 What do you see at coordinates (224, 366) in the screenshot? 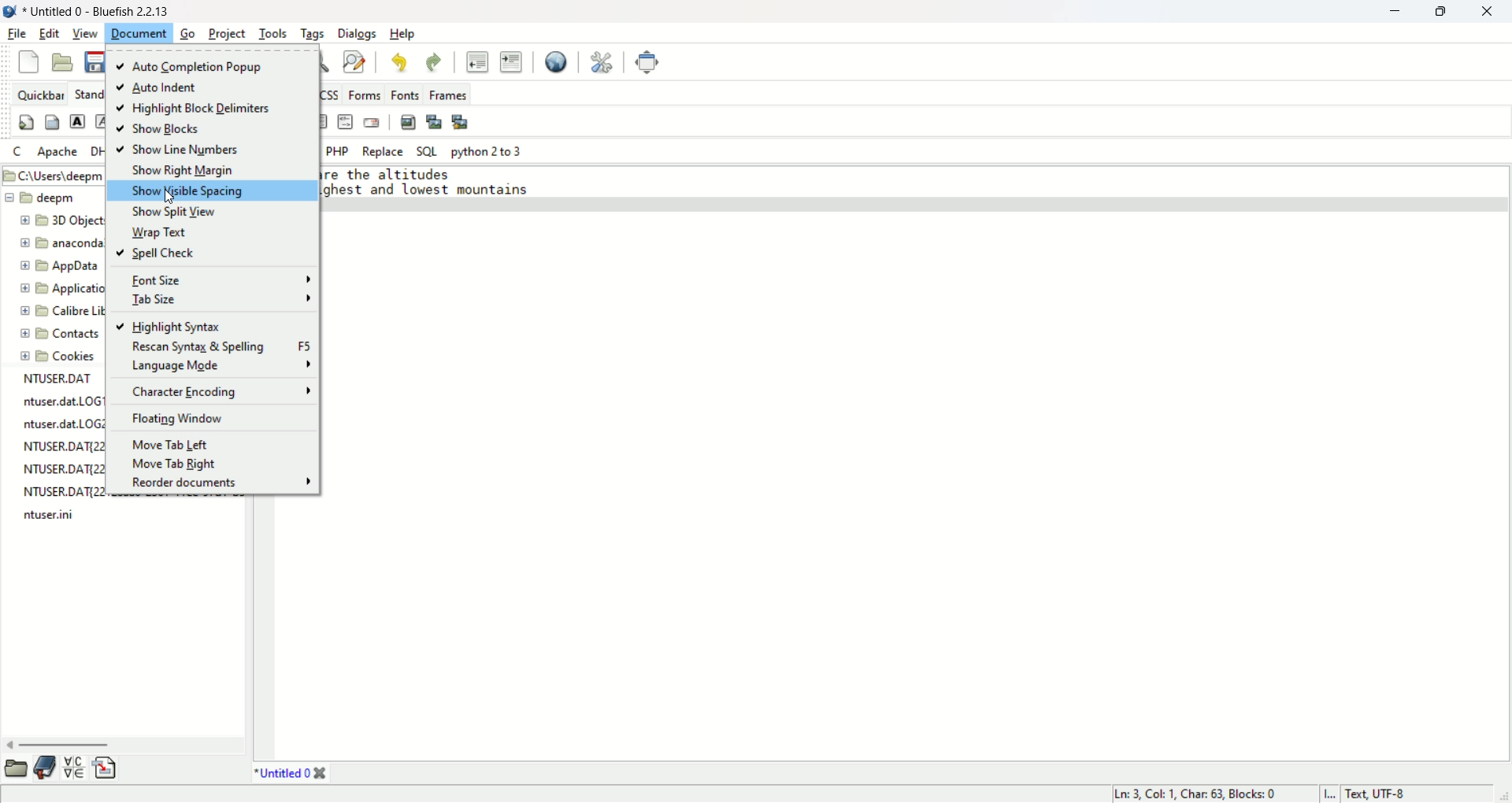
I see `language mode` at bounding box center [224, 366].